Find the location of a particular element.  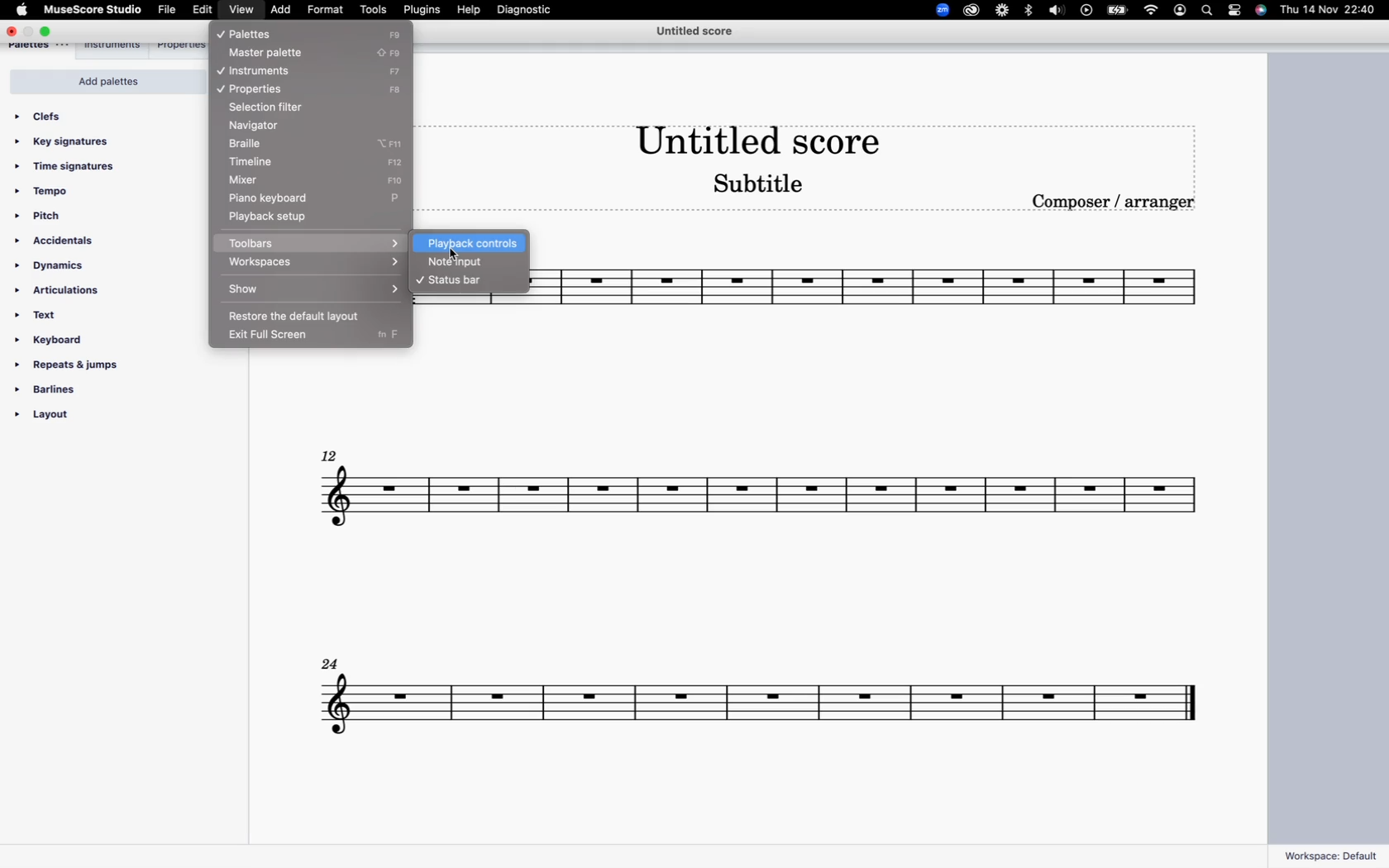

score title is located at coordinates (694, 33).